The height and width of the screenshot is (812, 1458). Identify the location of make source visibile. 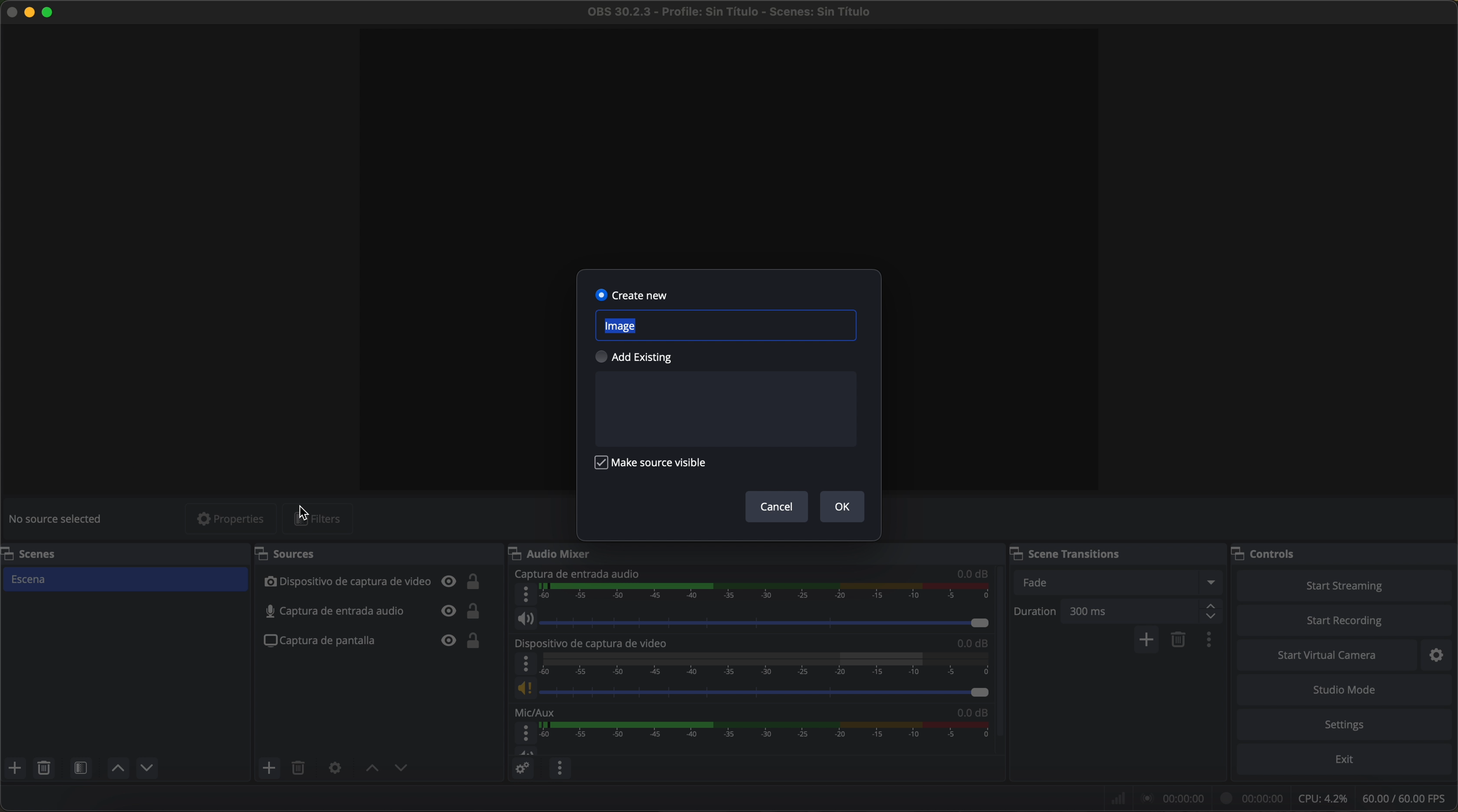
(650, 463).